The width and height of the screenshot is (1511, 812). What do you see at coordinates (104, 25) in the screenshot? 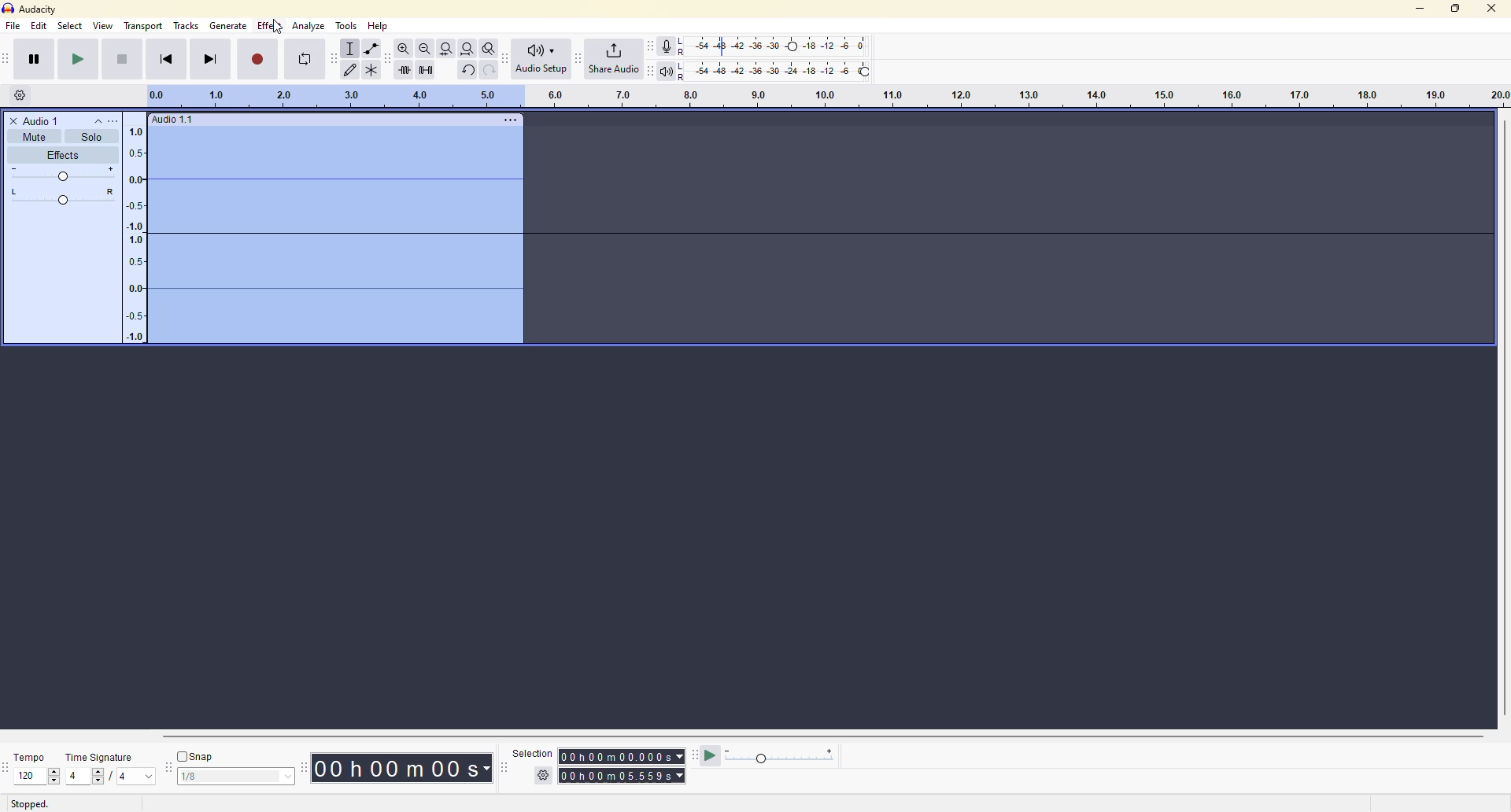
I see `view` at bounding box center [104, 25].